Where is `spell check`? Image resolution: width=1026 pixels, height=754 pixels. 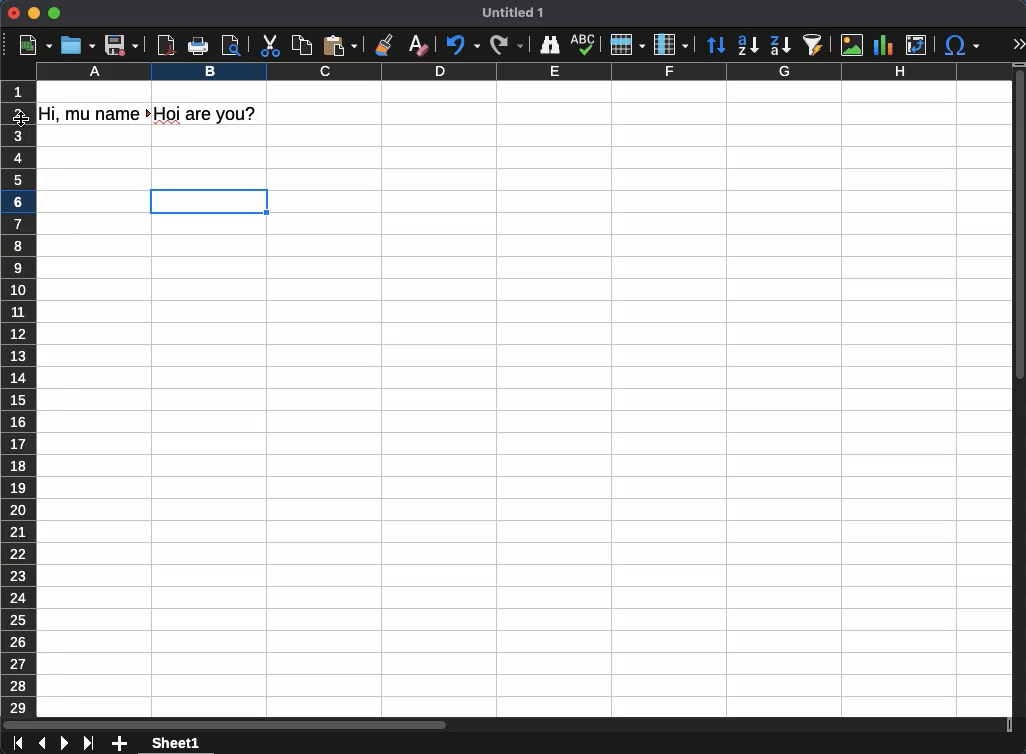 spell check is located at coordinates (584, 45).